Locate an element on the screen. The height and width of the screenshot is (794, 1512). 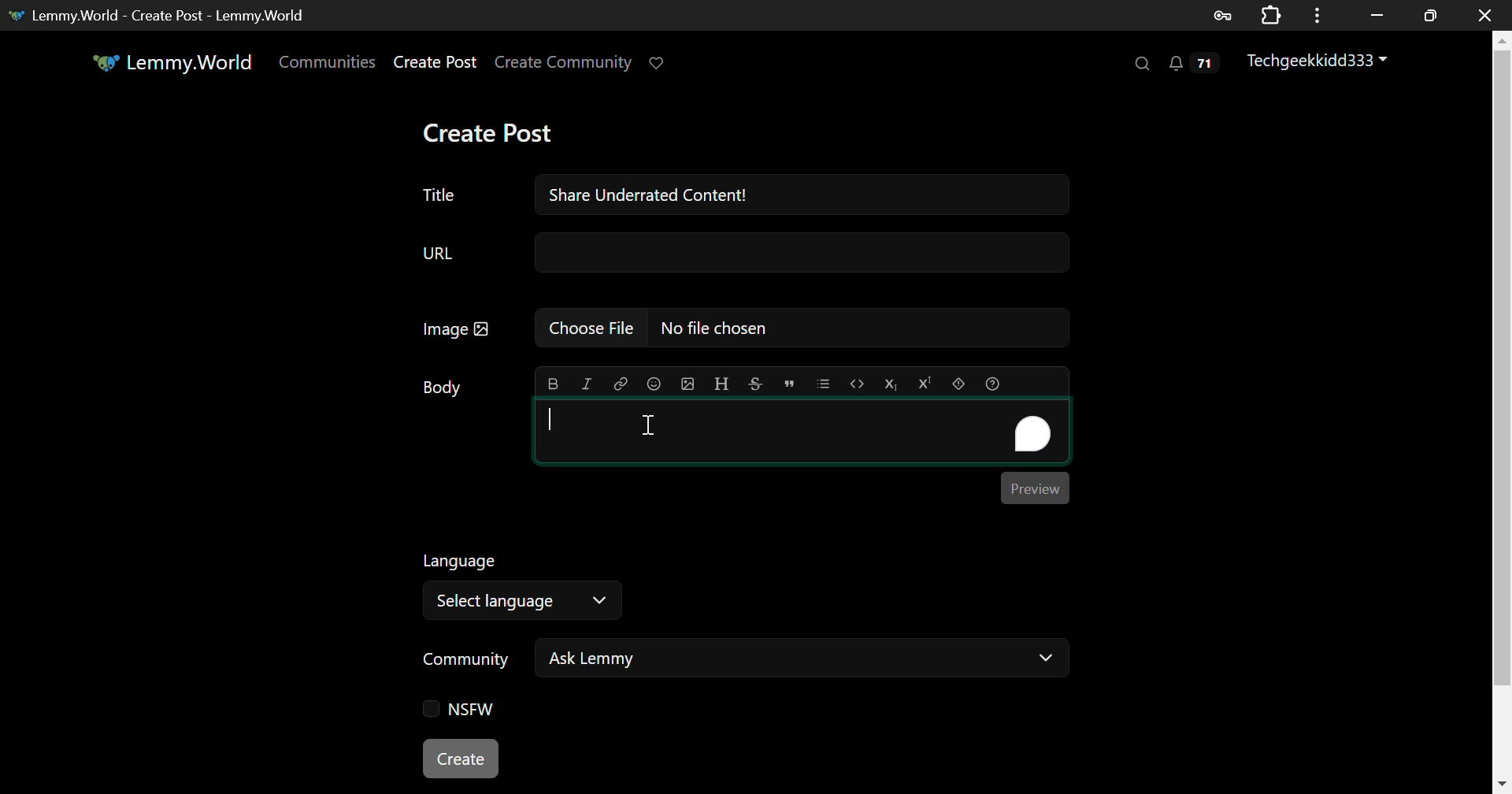
Bold is located at coordinates (553, 384).